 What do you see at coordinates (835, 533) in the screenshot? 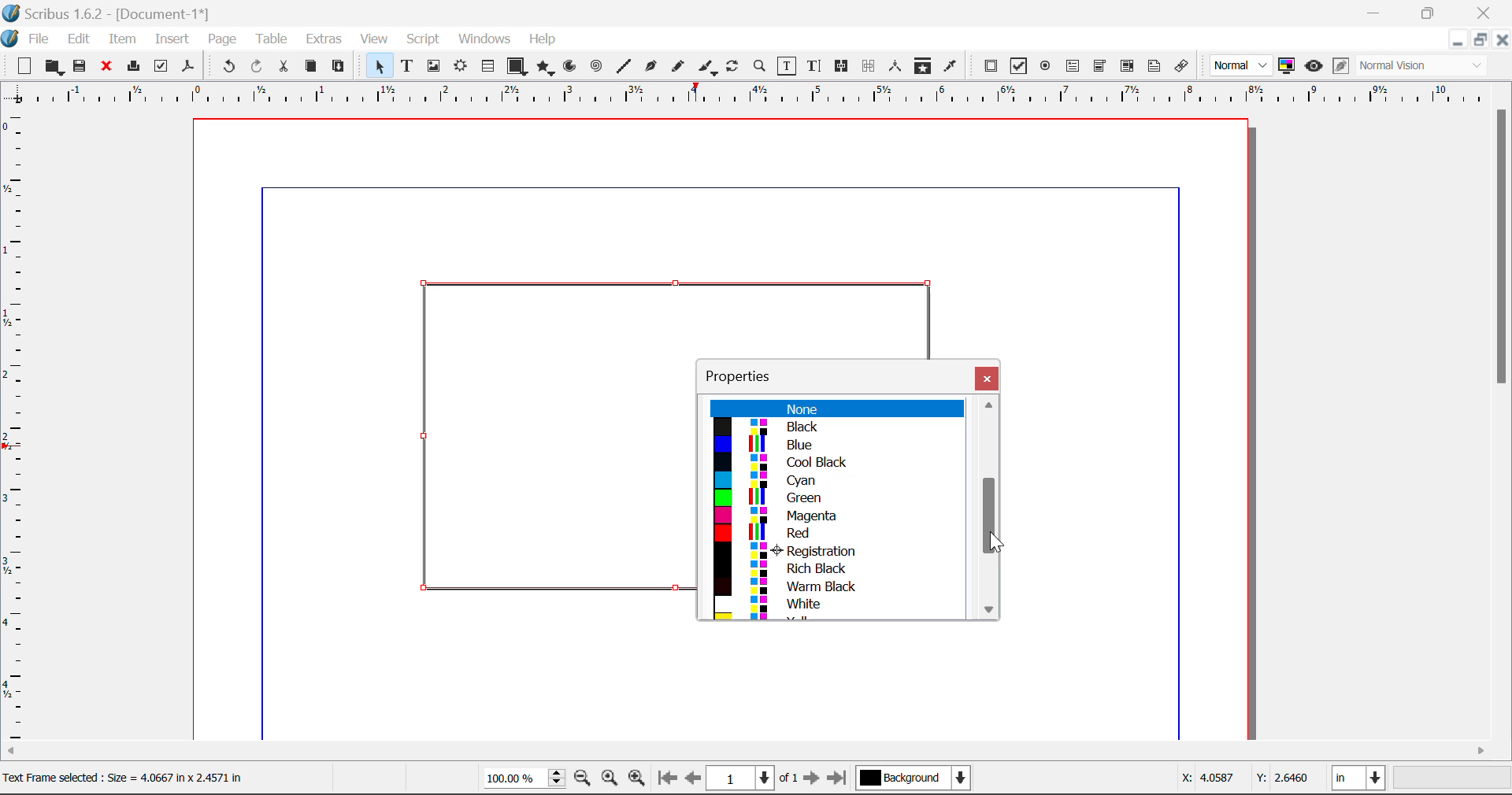
I see `Red` at bounding box center [835, 533].